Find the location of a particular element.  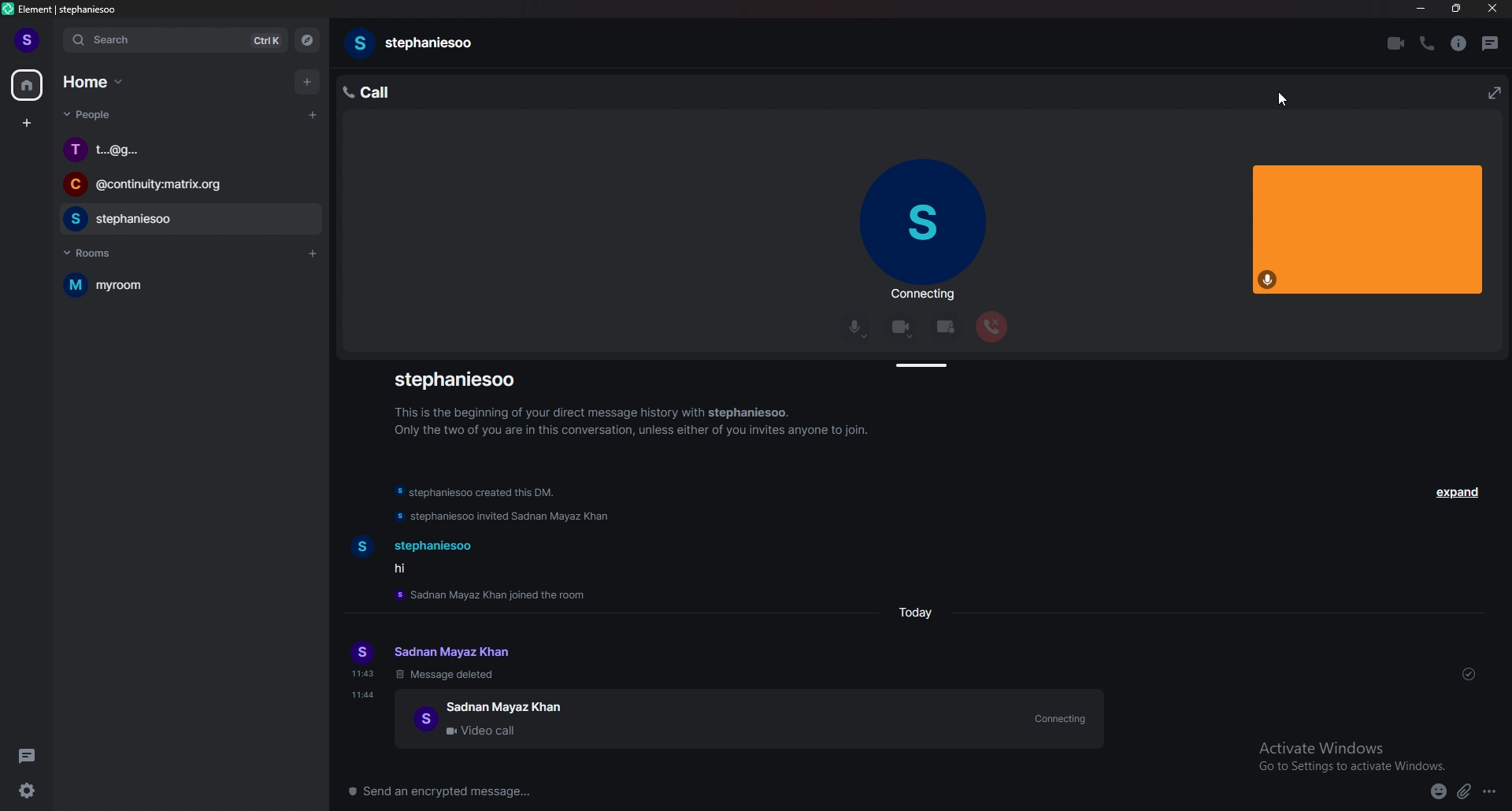

adjust is located at coordinates (924, 367).